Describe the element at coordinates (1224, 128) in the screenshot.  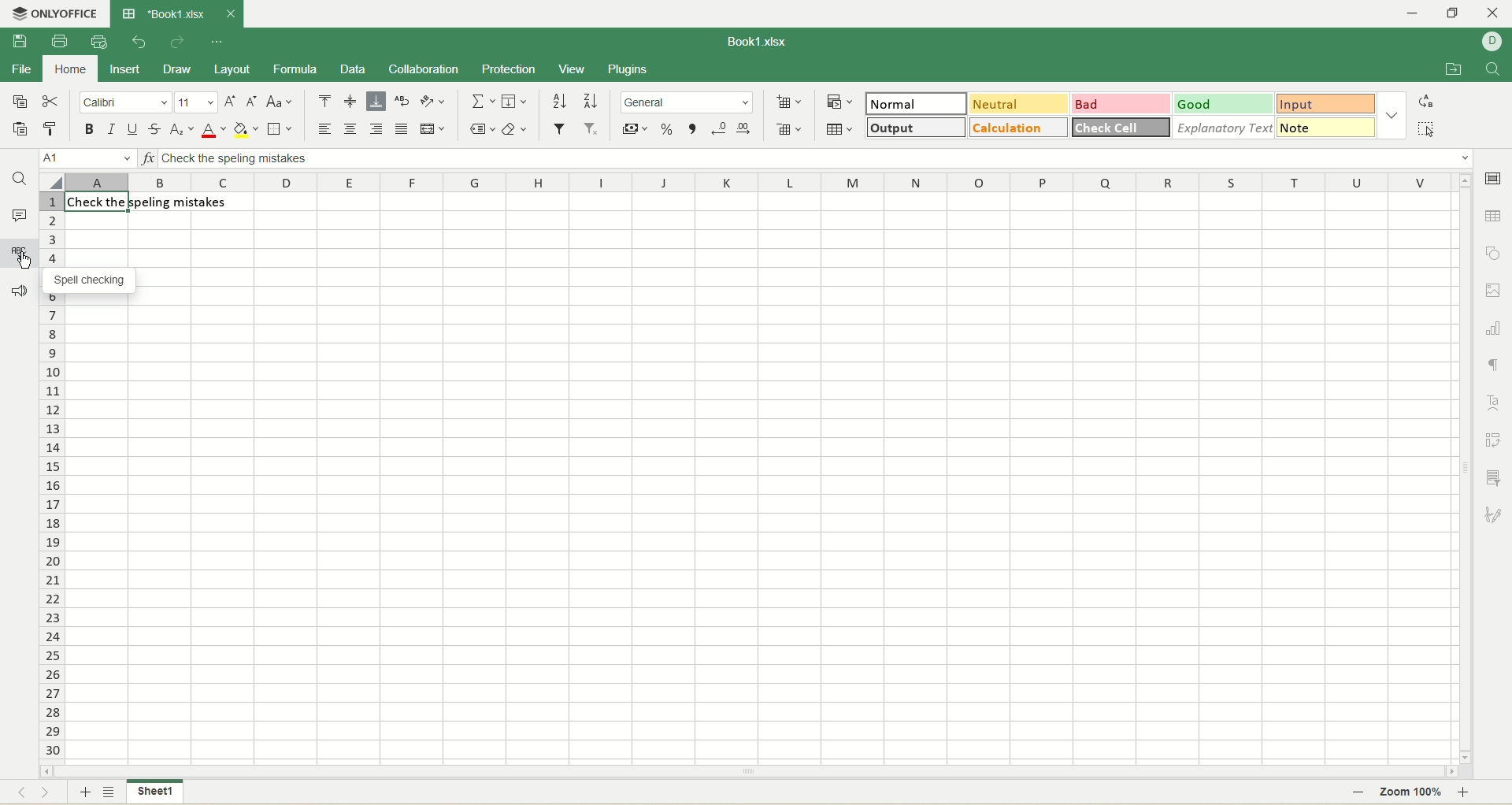
I see `explanatory text` at that location.